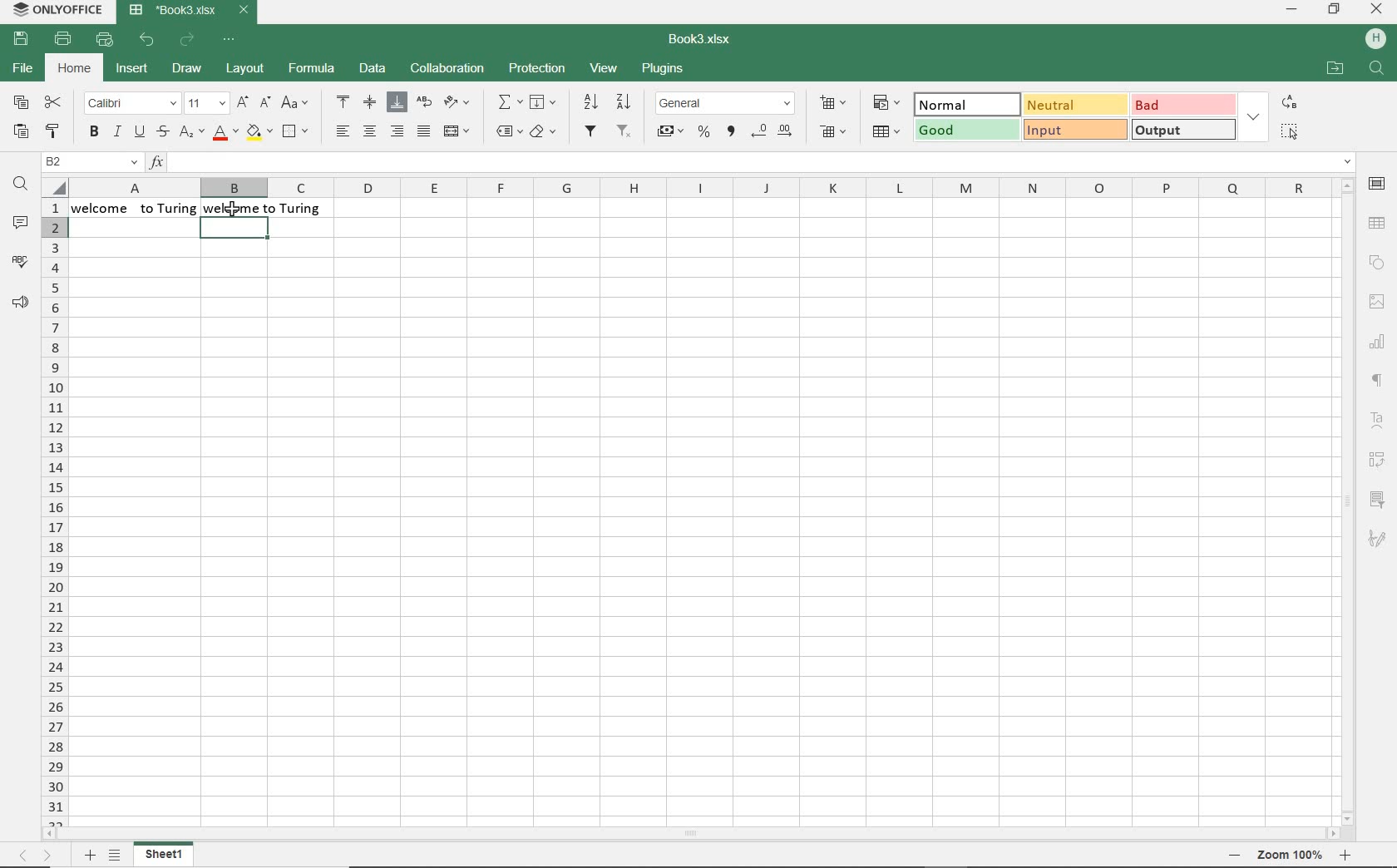 Image resolution: width=1397 pixels, height=868 pixels. Describe the element at coordinates (671, 131) in the screenshot. I see `account style` at that location.